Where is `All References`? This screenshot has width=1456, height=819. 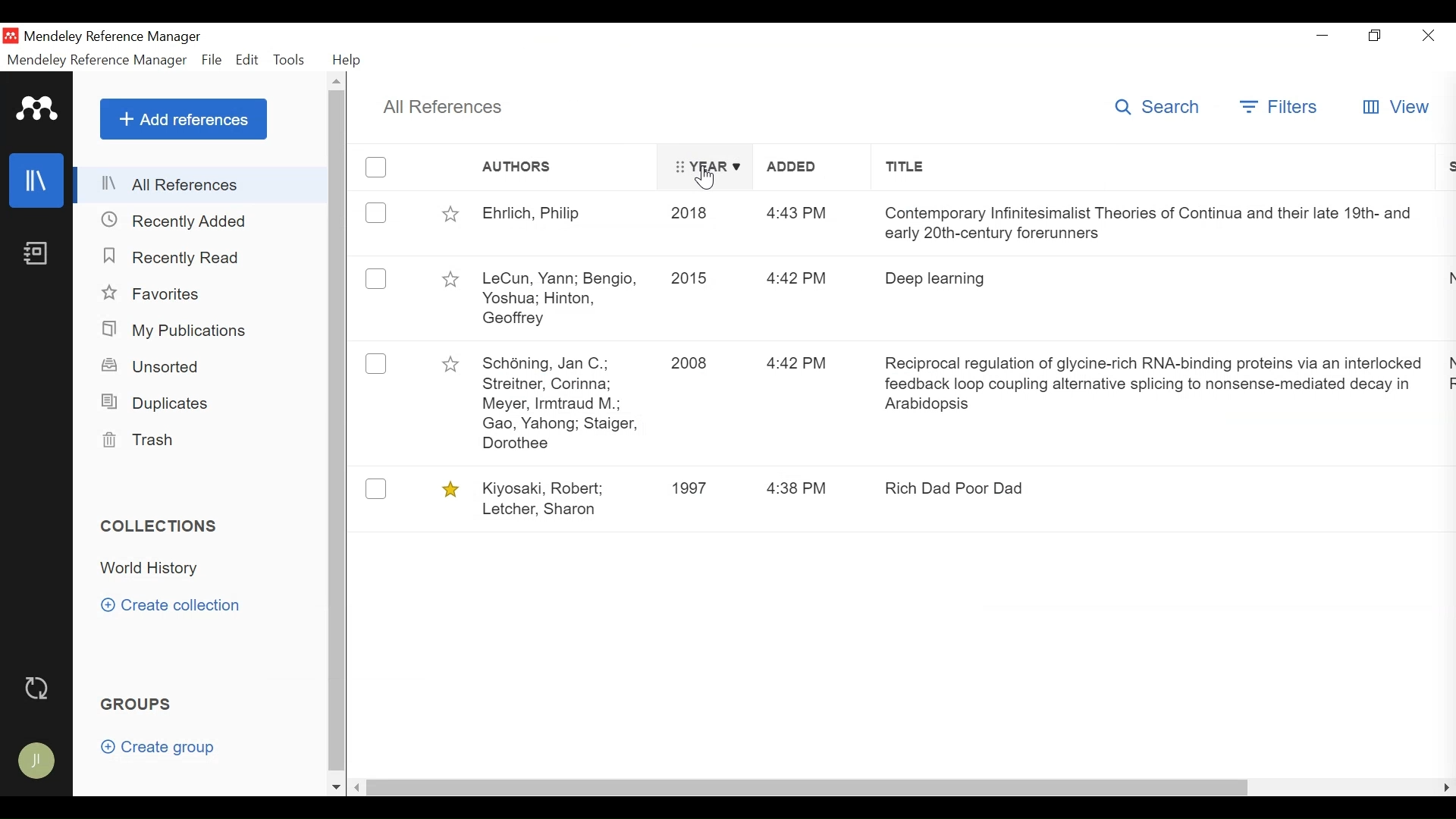 All References is located at coordinates (445, 108).